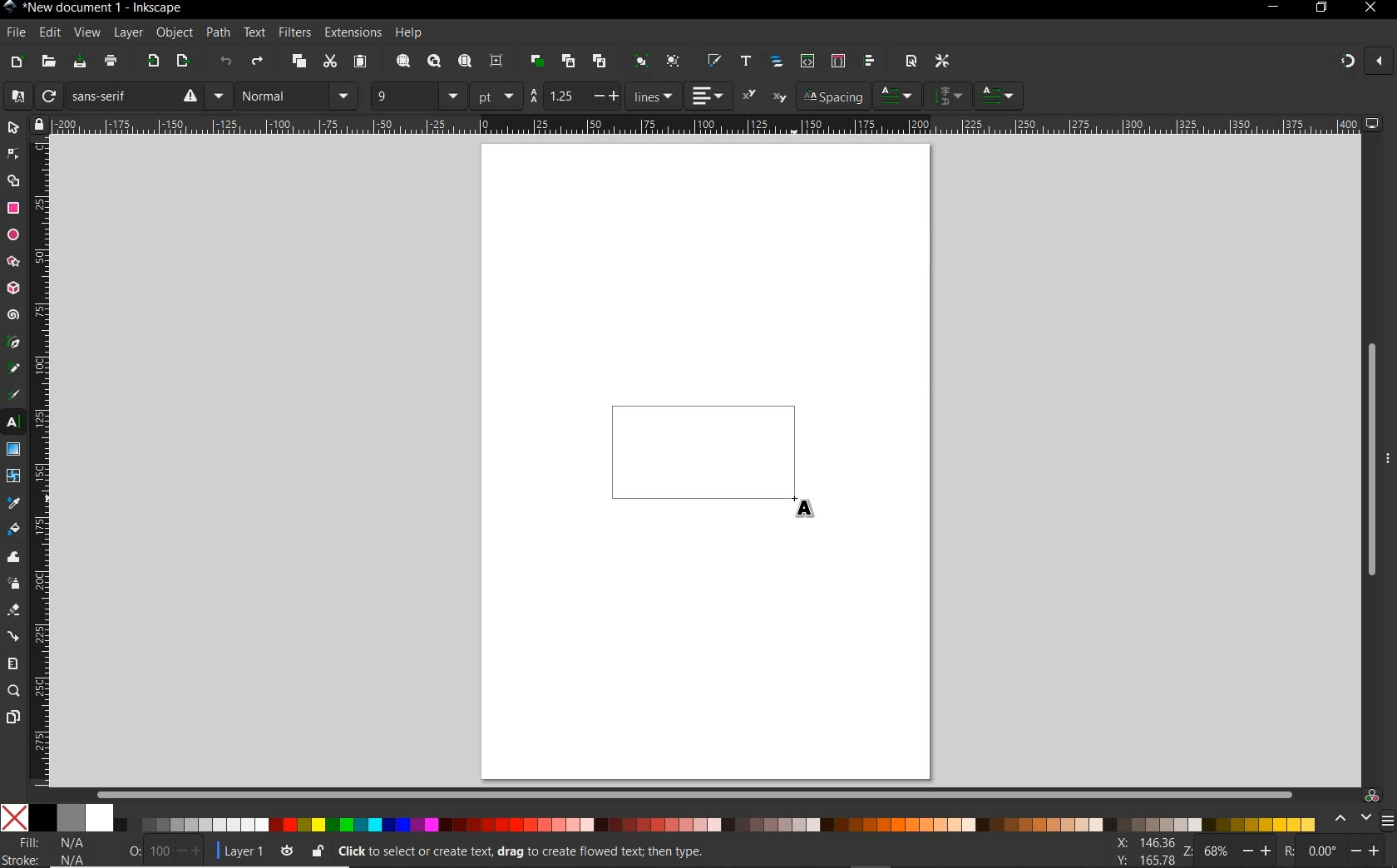 The height and width of the screenshot is (868, 1397). What do you see at coordinates (13, 235) in the screenshot?
I see `ellipse` at bounding box center [13, 235].